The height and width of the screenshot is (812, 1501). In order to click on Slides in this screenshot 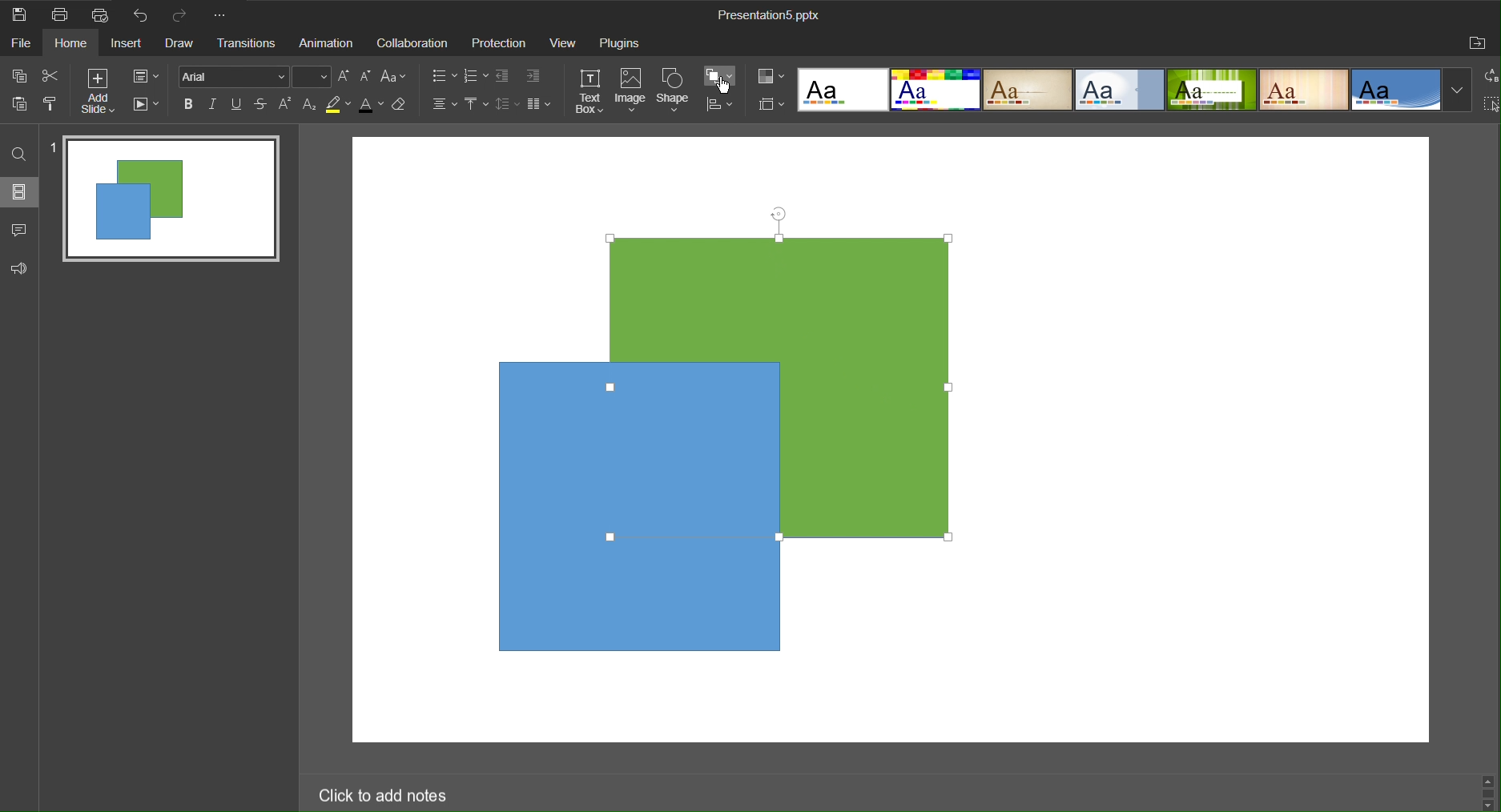, I will do `click(22, 193)`.